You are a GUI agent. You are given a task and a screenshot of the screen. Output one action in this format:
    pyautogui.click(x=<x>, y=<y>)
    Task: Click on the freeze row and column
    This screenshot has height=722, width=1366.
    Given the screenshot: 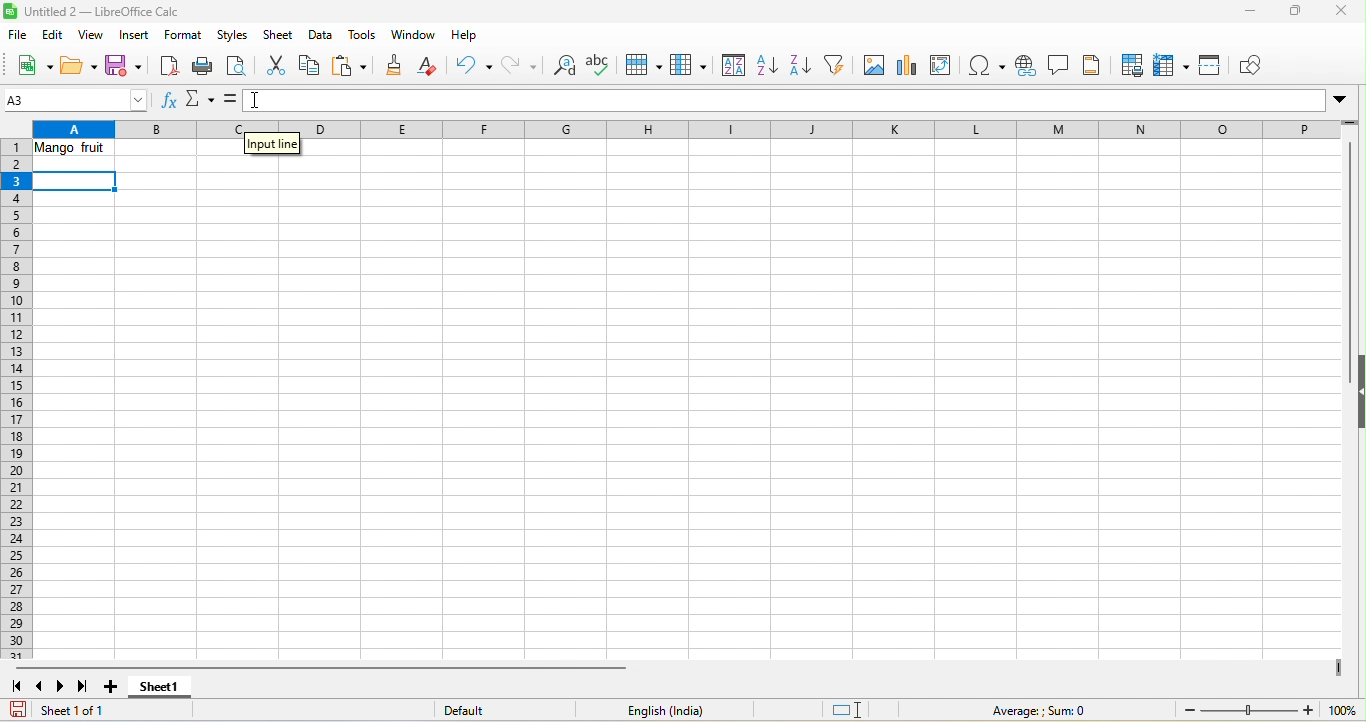 What is the action you would take?
    pyautogui.click(x=1174, y=65)
    